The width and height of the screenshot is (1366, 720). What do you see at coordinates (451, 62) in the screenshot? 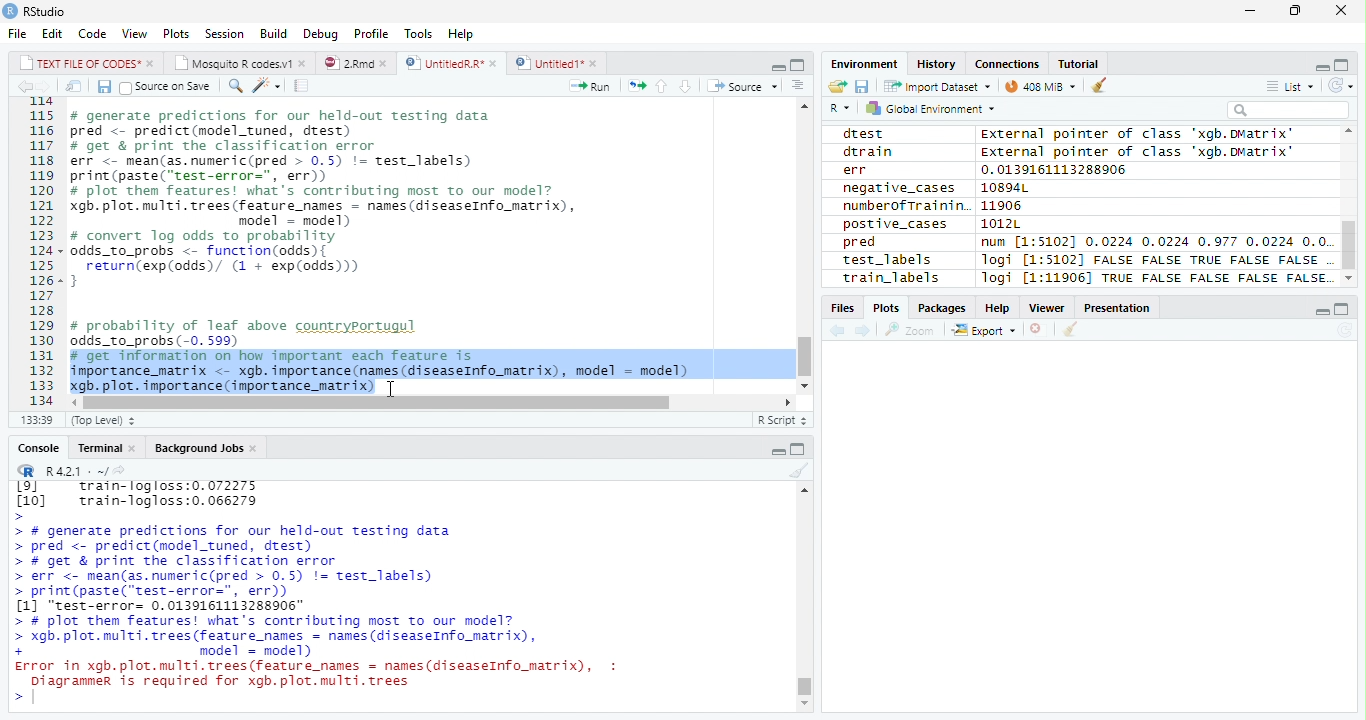
I see `UntitiedR.R* ` at bounding box center [451, 62].